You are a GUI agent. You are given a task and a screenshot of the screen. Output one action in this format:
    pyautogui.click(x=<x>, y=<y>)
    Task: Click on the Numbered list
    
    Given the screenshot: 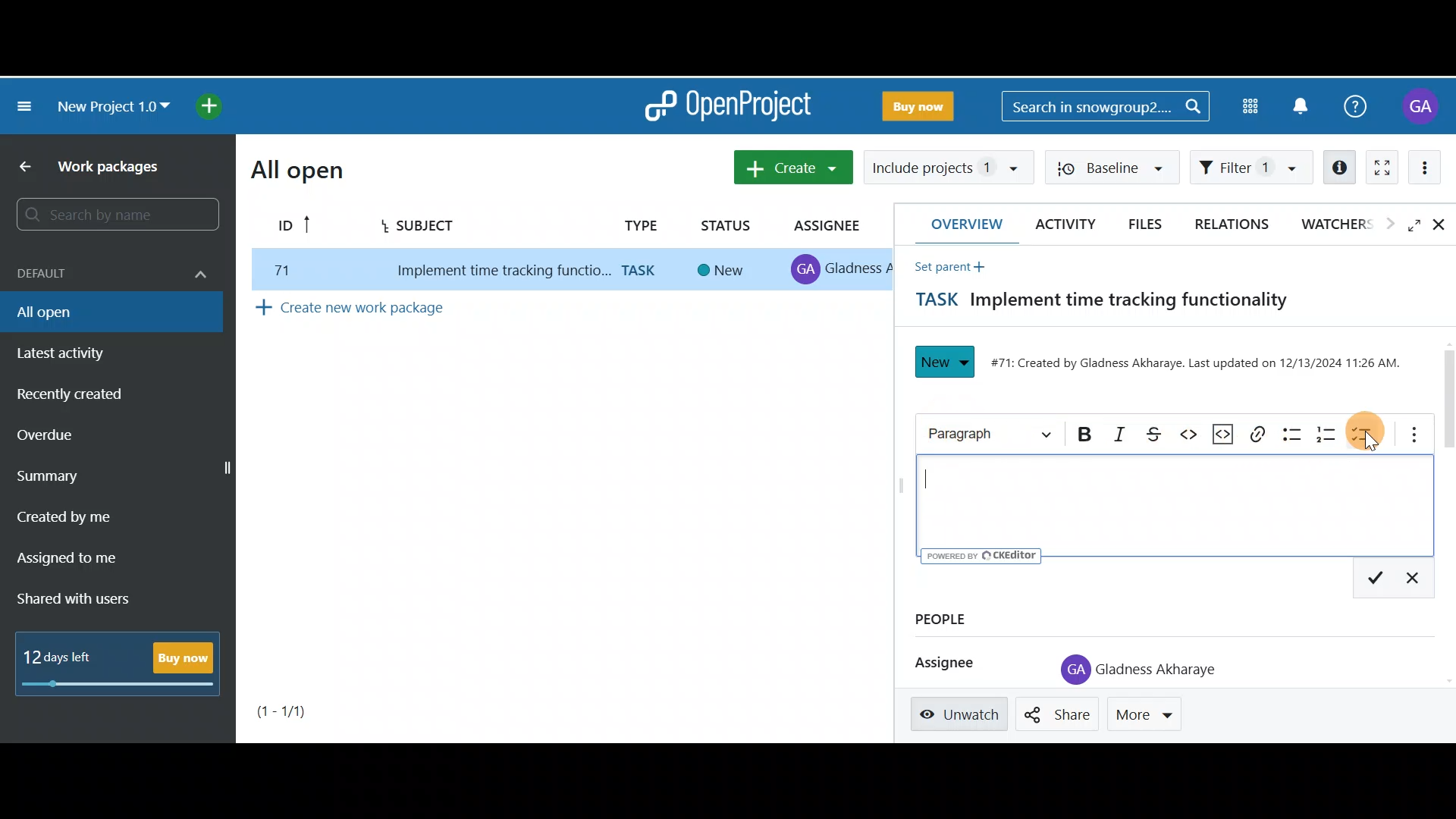 What is the action you would take?
    pyautogui.click(x=1329, y=431)
    